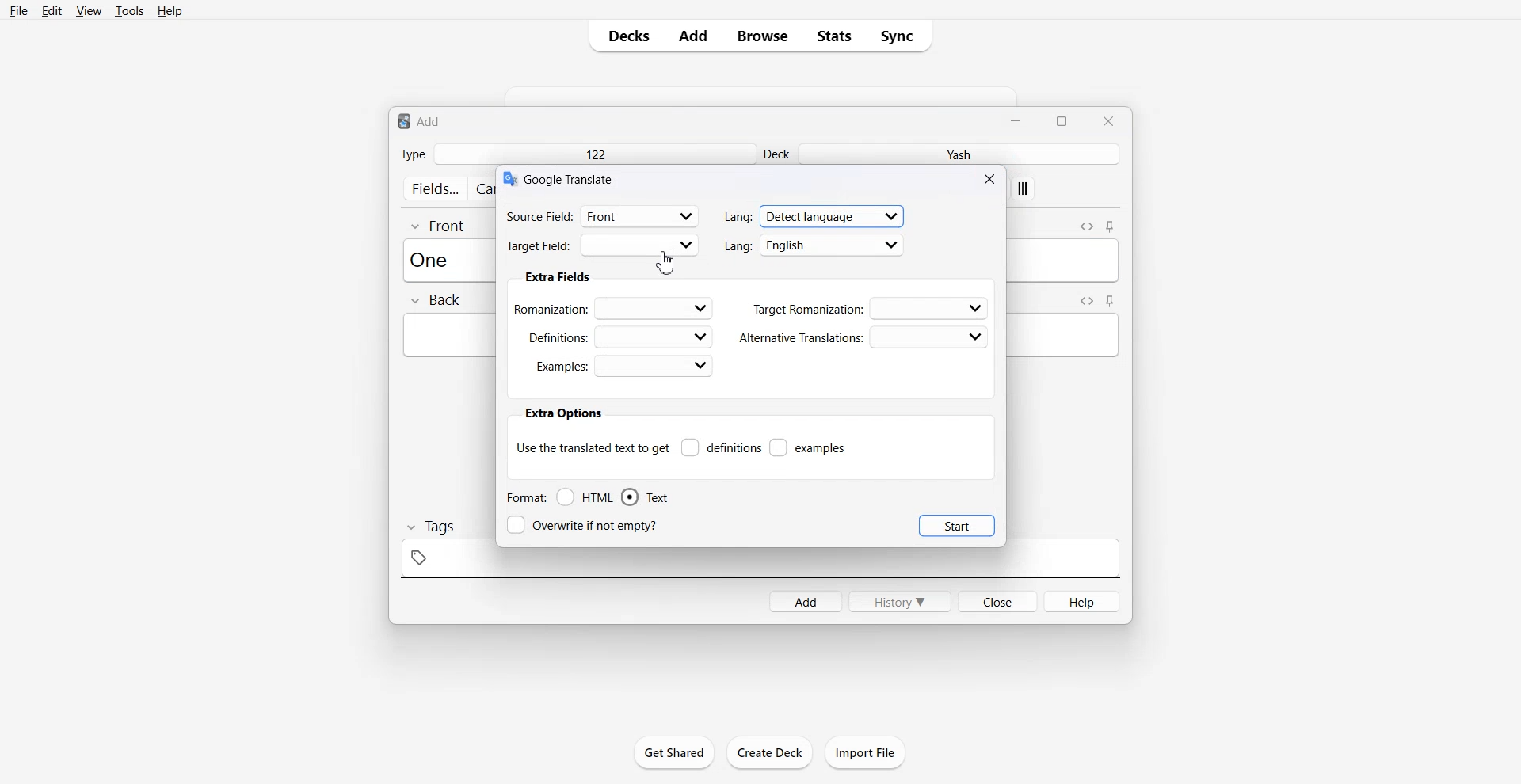 Image resolution: width=1521 pixels, height=784 pixels. Describe the element at coordinates (665, 263) in the screenshot. I see `cursor` at that location.